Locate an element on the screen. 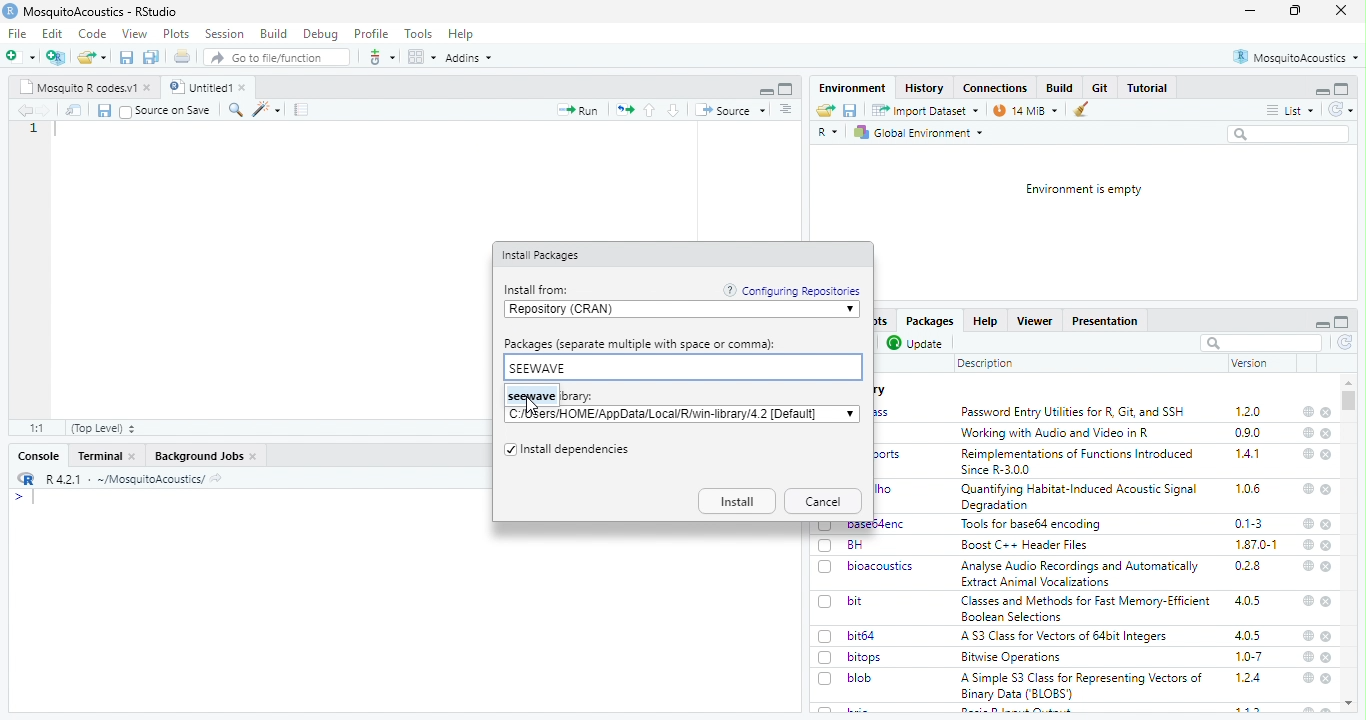 The width and height of the screenshot is (1366, 720). web is located at coordinates (1309, 678).